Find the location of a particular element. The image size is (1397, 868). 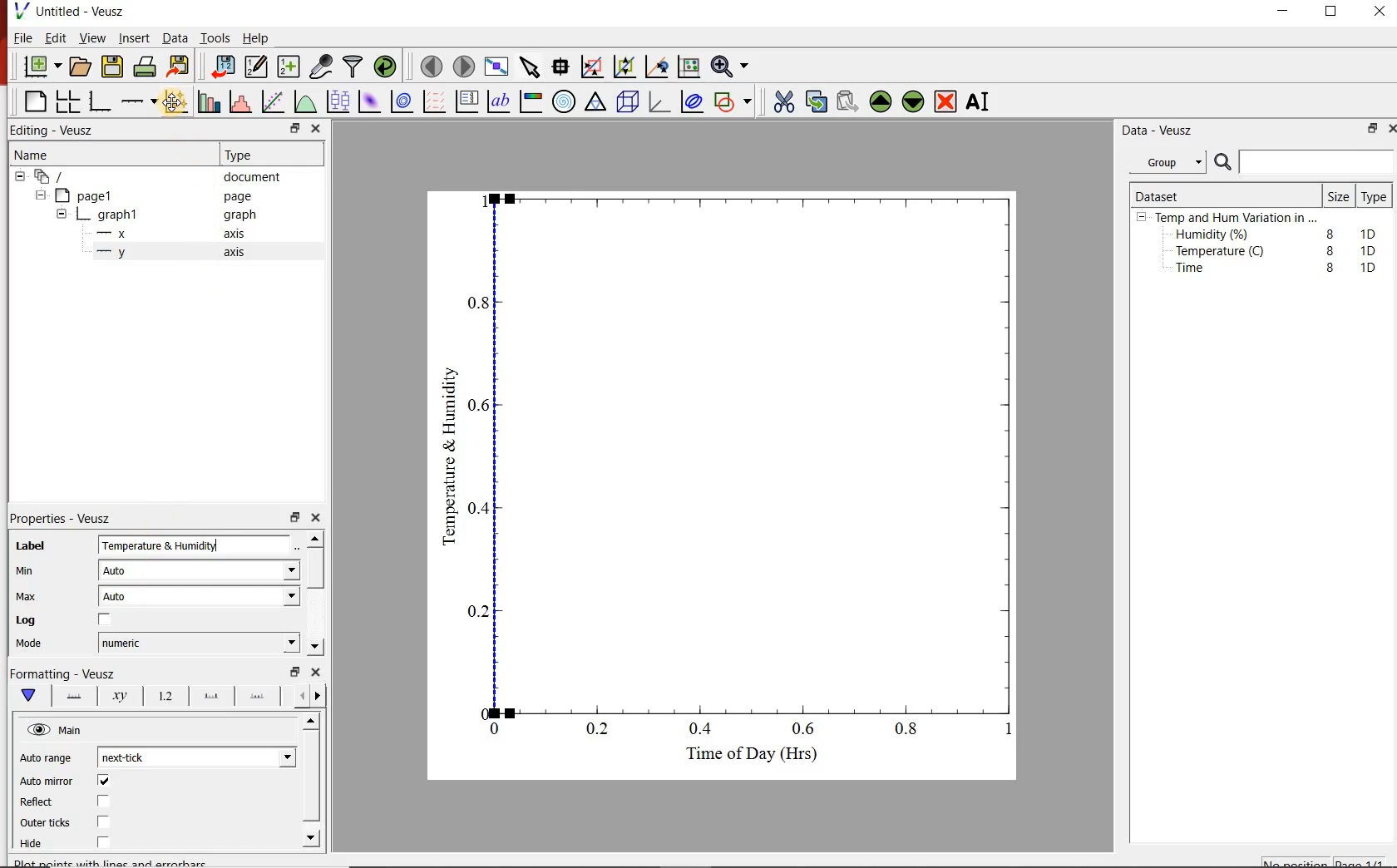

Temperature (C) is located at coordinates (1223, 253).